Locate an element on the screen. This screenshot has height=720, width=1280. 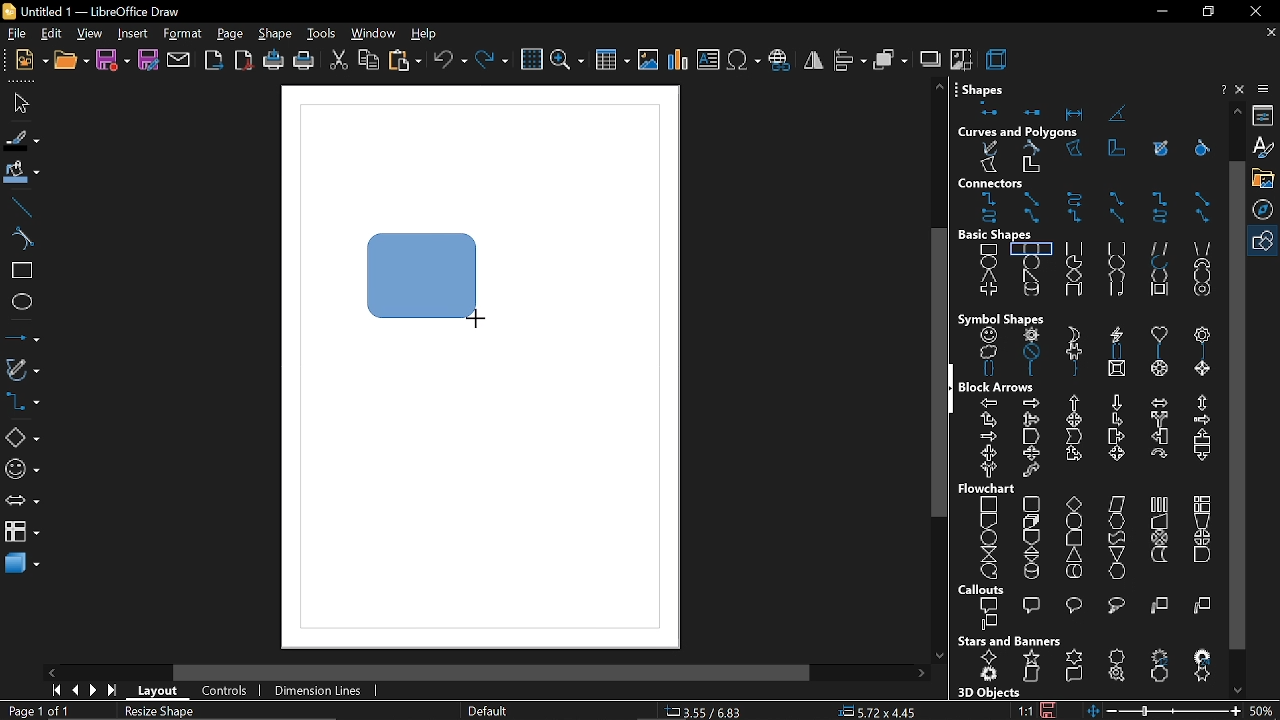
block arrows is located at coordinates (1090, 438).